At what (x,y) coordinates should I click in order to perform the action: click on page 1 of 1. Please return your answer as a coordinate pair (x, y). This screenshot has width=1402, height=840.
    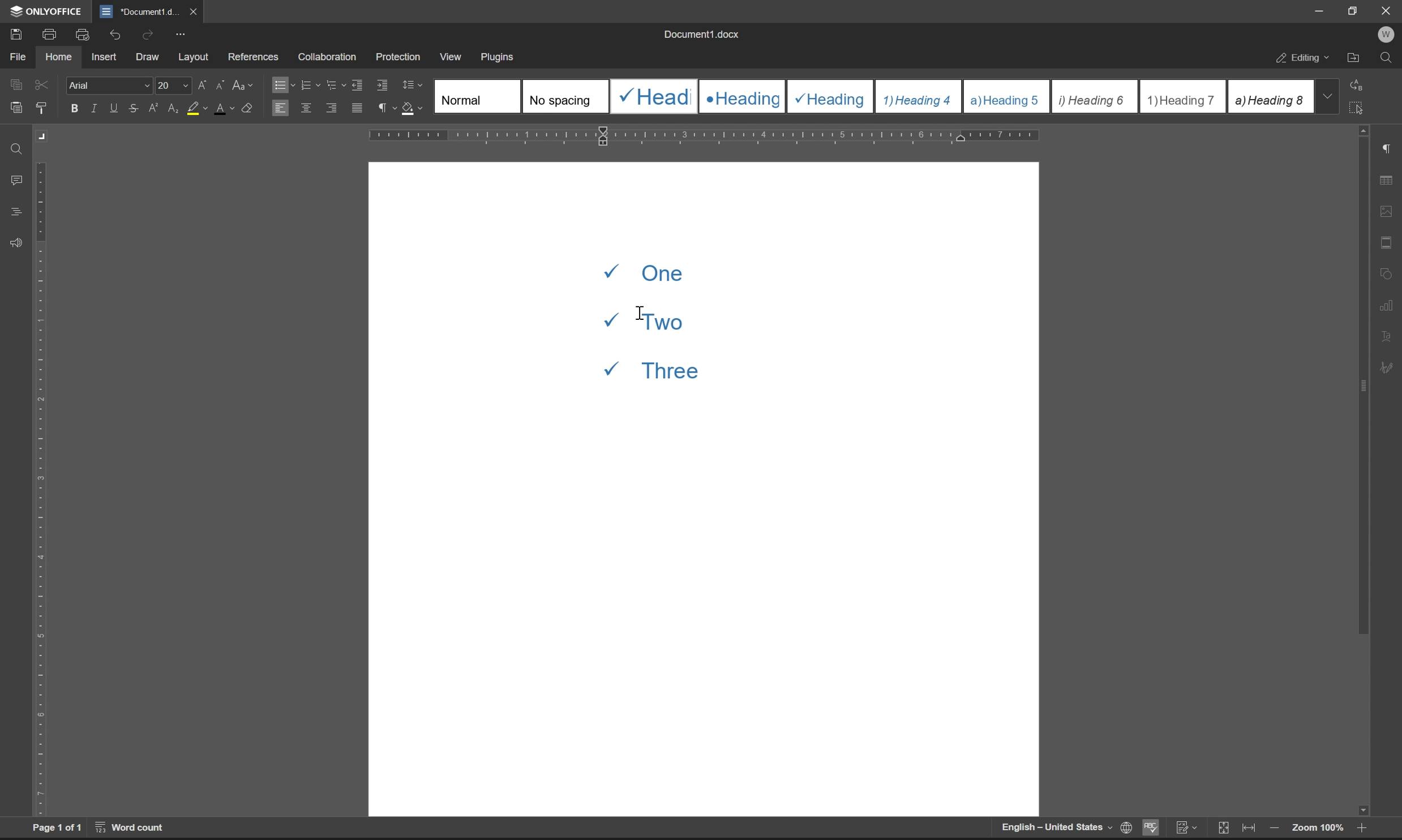
    Looking at the image, I should click on (57, 828).